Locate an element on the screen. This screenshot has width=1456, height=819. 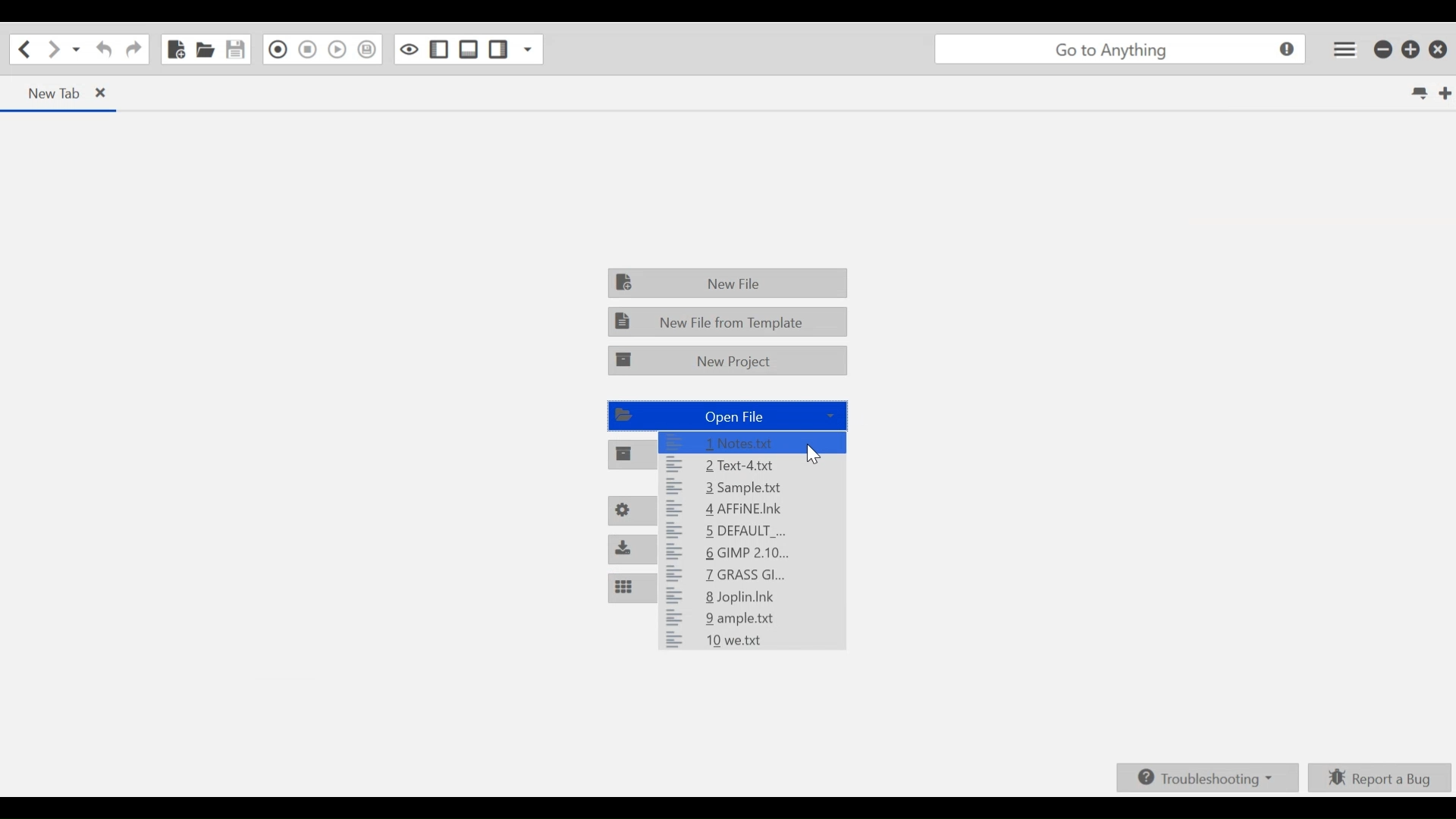
Go Forward one location is located at coordinates (54, 49).